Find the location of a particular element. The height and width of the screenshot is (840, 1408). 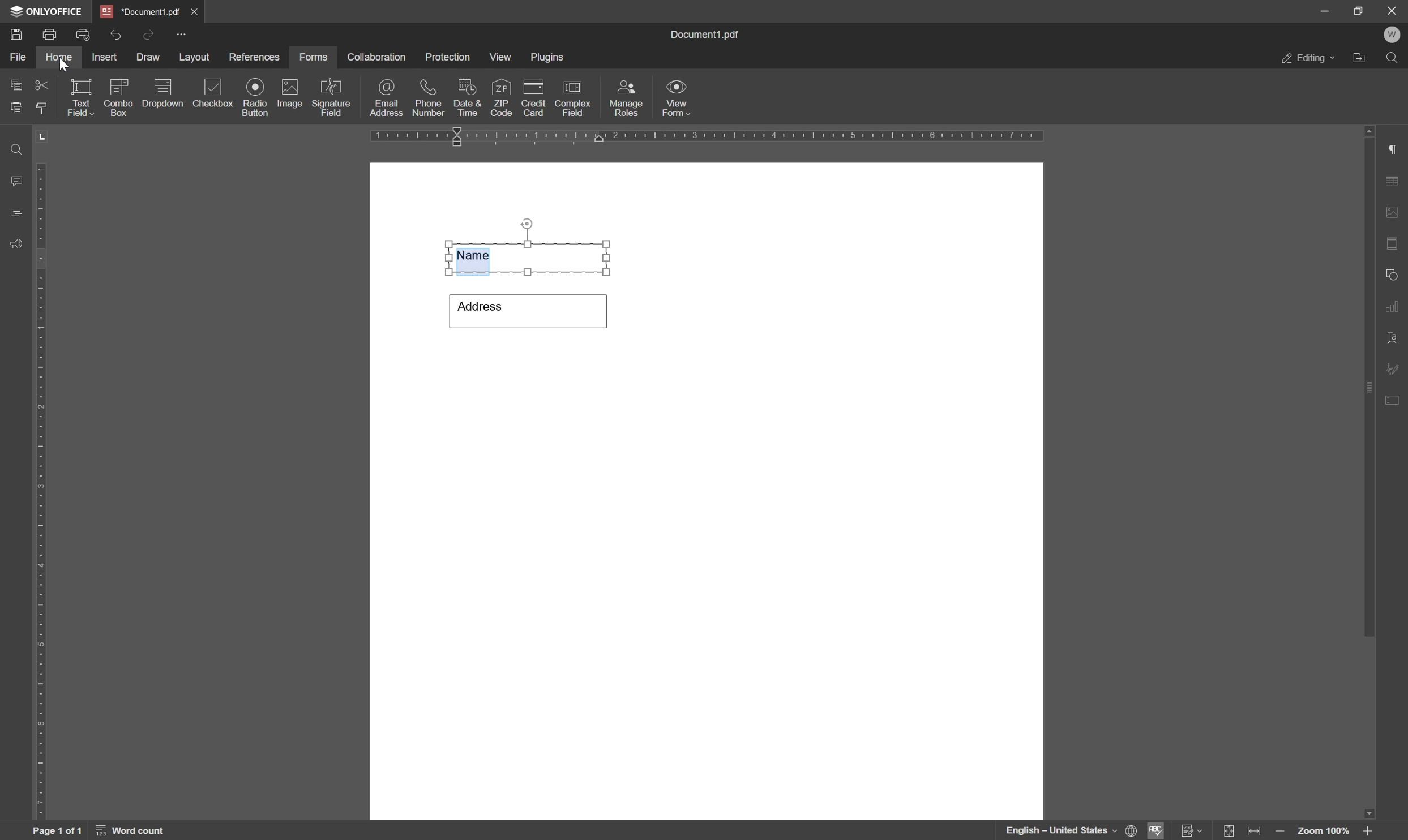

forms is located at coordinates (314, 58).